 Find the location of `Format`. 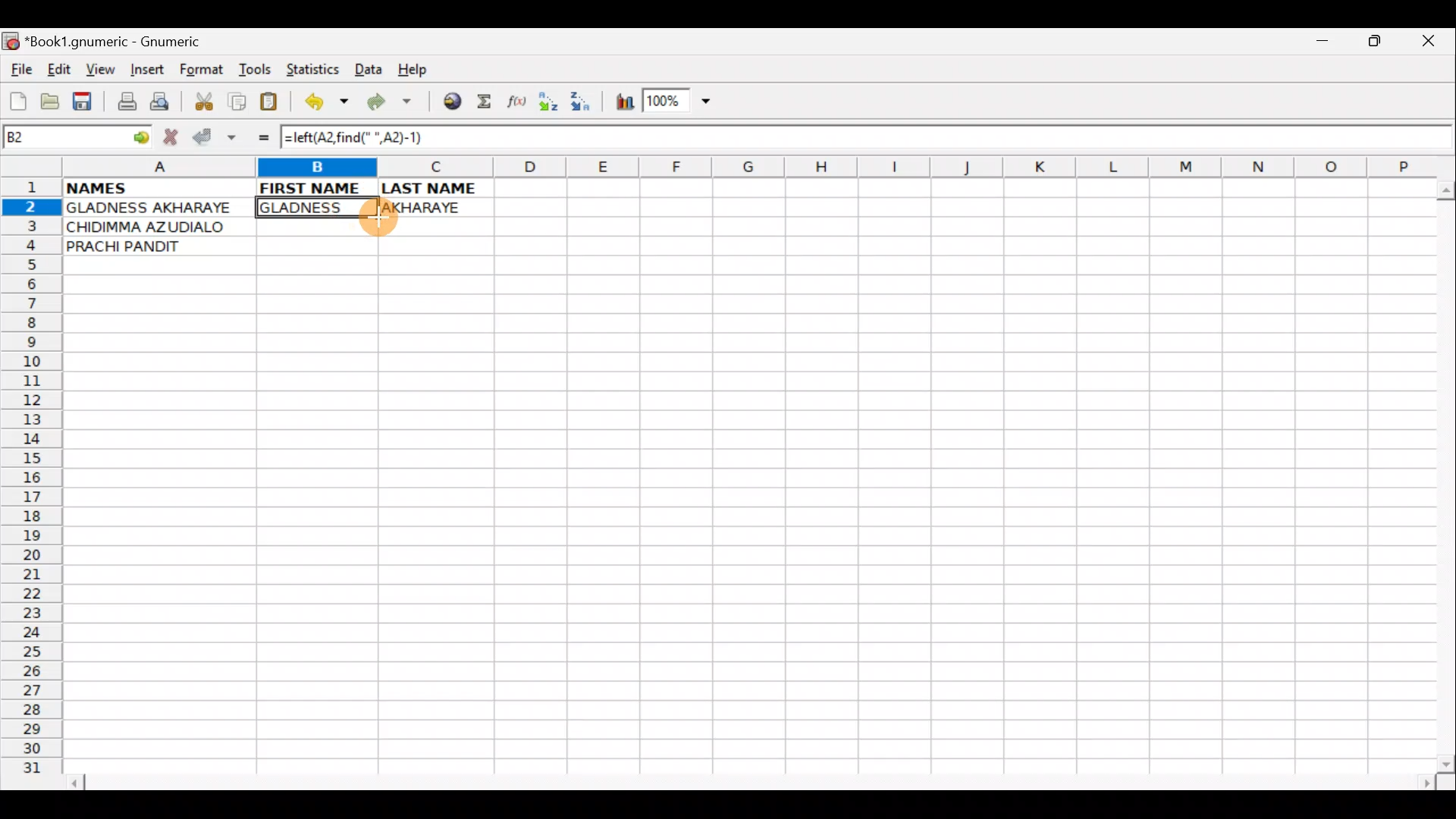

Format is located at coordinates (205, 71).